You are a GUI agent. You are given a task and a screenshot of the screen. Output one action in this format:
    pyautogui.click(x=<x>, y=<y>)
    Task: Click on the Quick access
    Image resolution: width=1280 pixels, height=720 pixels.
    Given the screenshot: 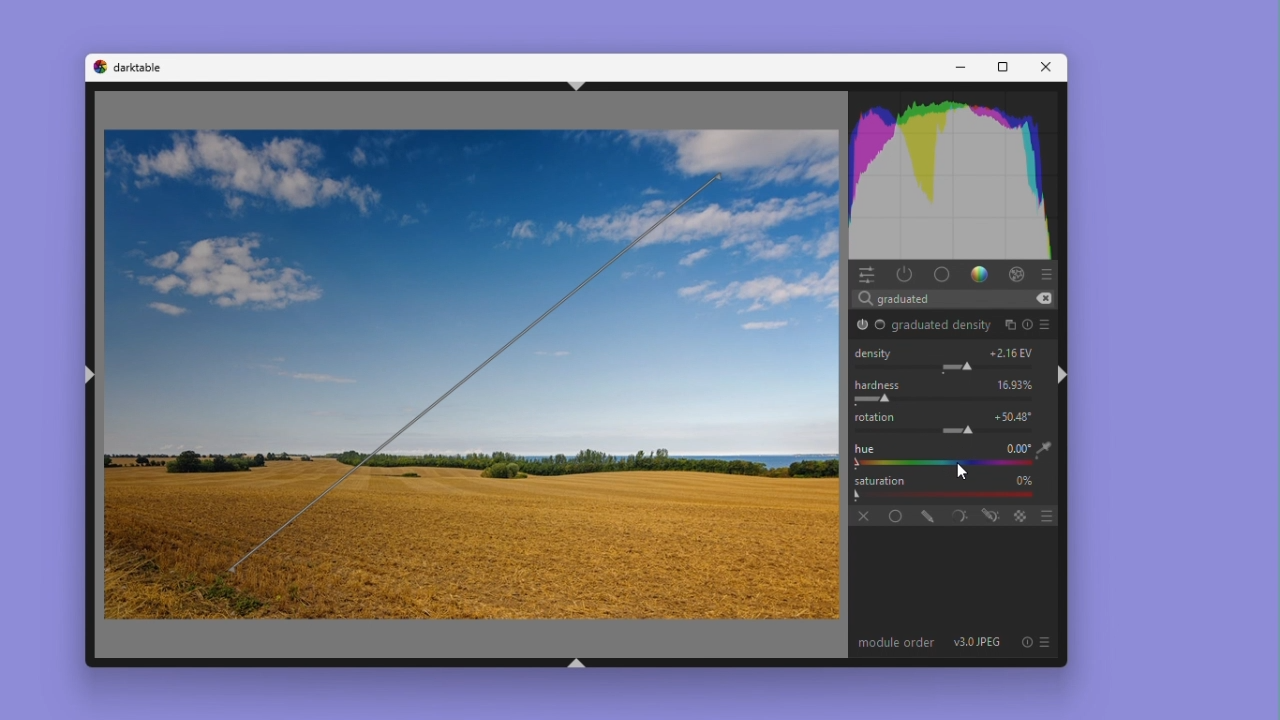 What is the action you would take?
    pyautogui.click(x=866, y=274)
    